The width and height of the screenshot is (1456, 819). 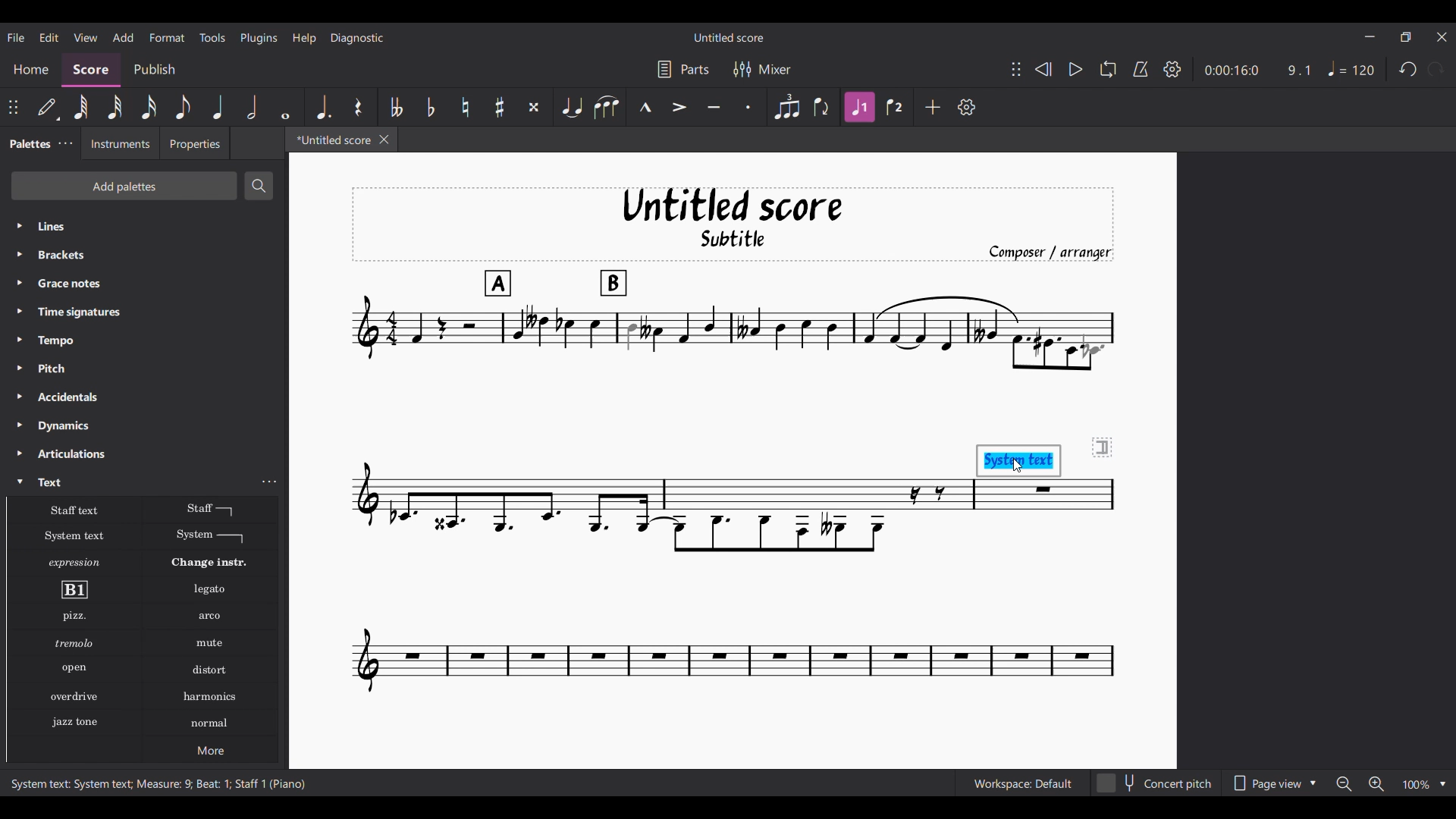 What do you see at coordinates (1345, 783) in the screenshot?
I see `Zoom out` at bounding box center [1345, 783].